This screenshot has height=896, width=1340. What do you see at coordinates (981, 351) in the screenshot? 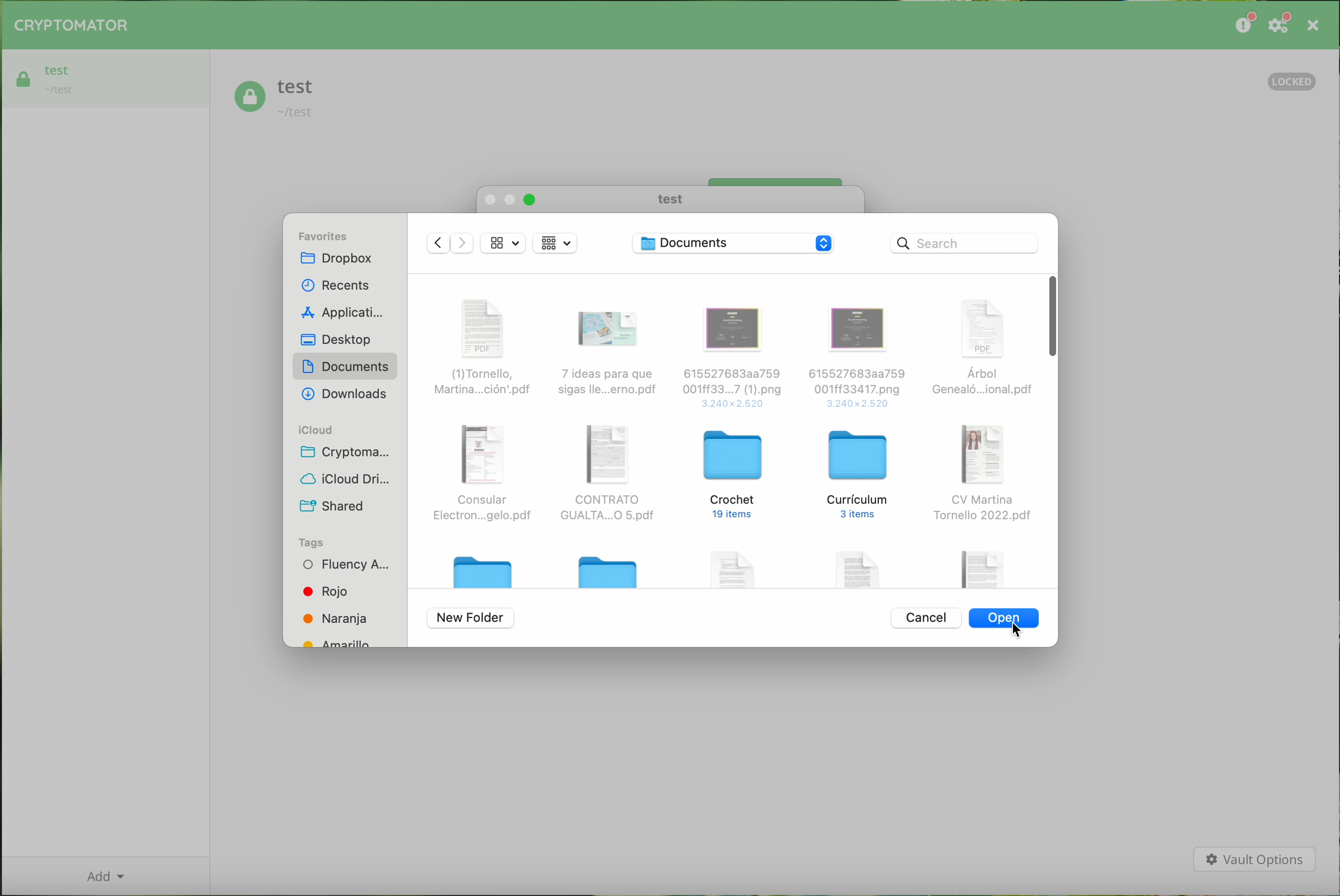
I see `pdf file` at bounding box center [981, 351].